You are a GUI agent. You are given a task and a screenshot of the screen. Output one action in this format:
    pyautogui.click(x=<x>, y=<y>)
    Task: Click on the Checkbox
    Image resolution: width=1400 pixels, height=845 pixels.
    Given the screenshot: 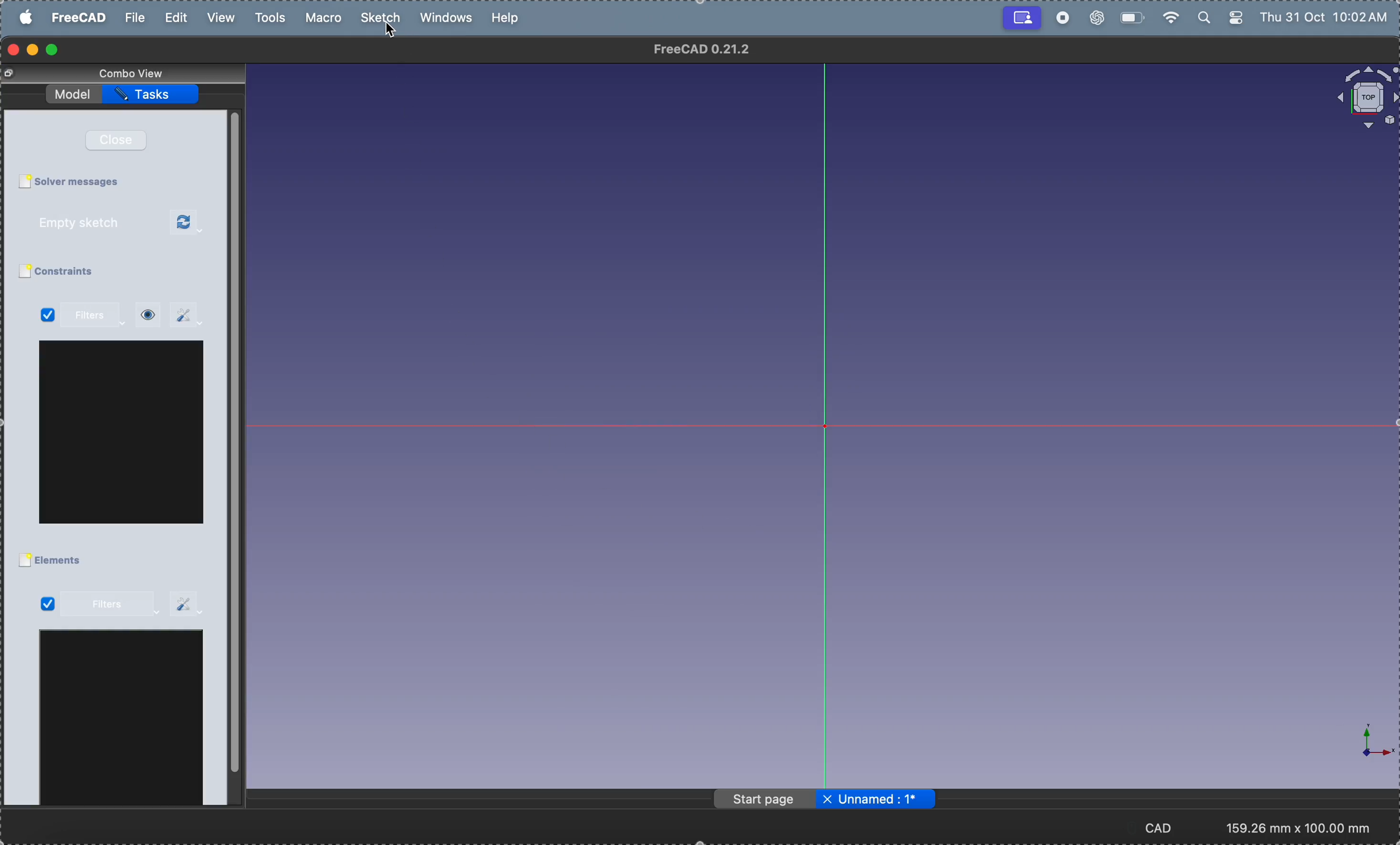 What is the action you would take?
    pyautogui.click(x=24, y=561)
    